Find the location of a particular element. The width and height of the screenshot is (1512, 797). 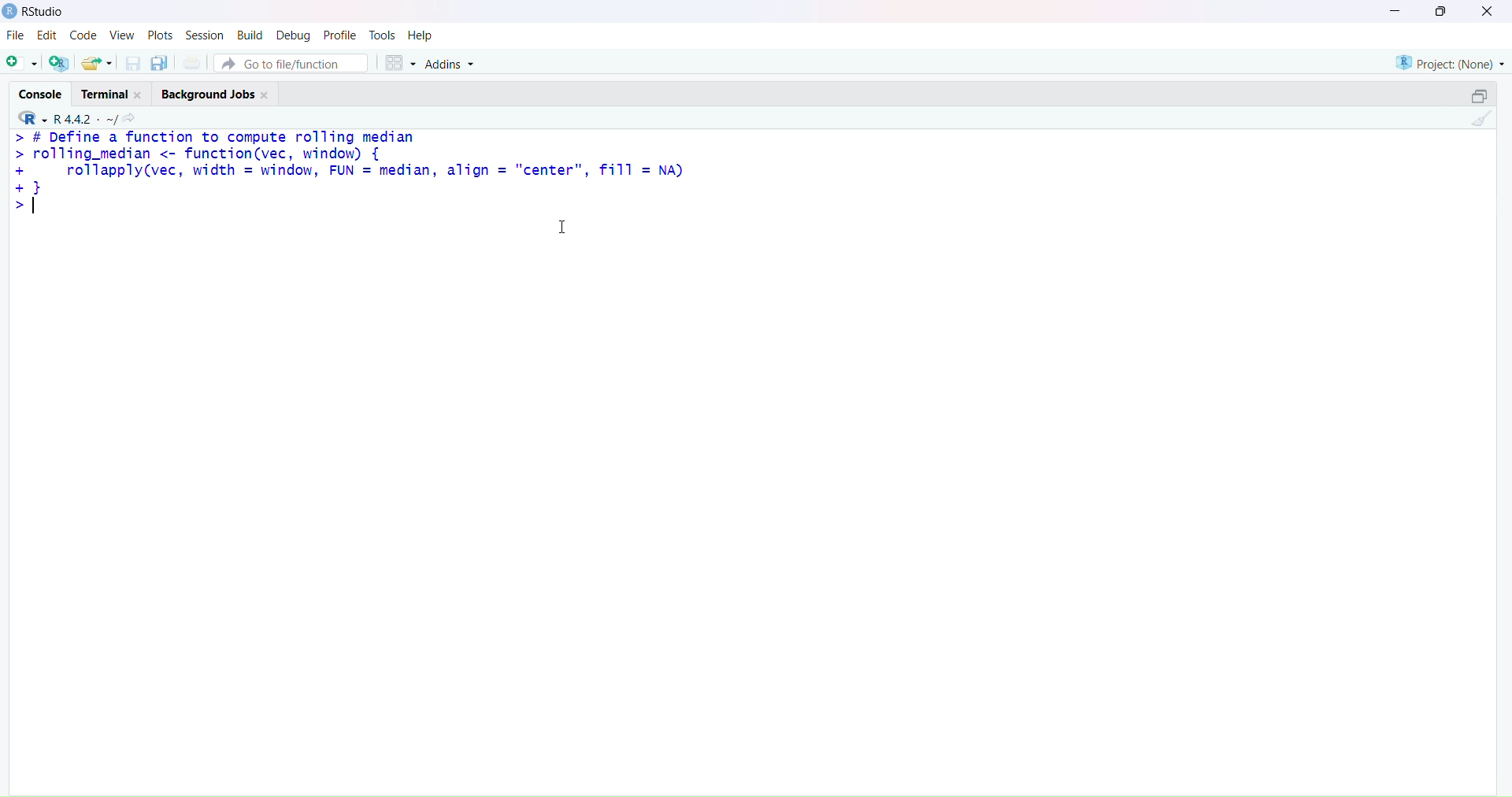

file is located at coordinates (14, 34).